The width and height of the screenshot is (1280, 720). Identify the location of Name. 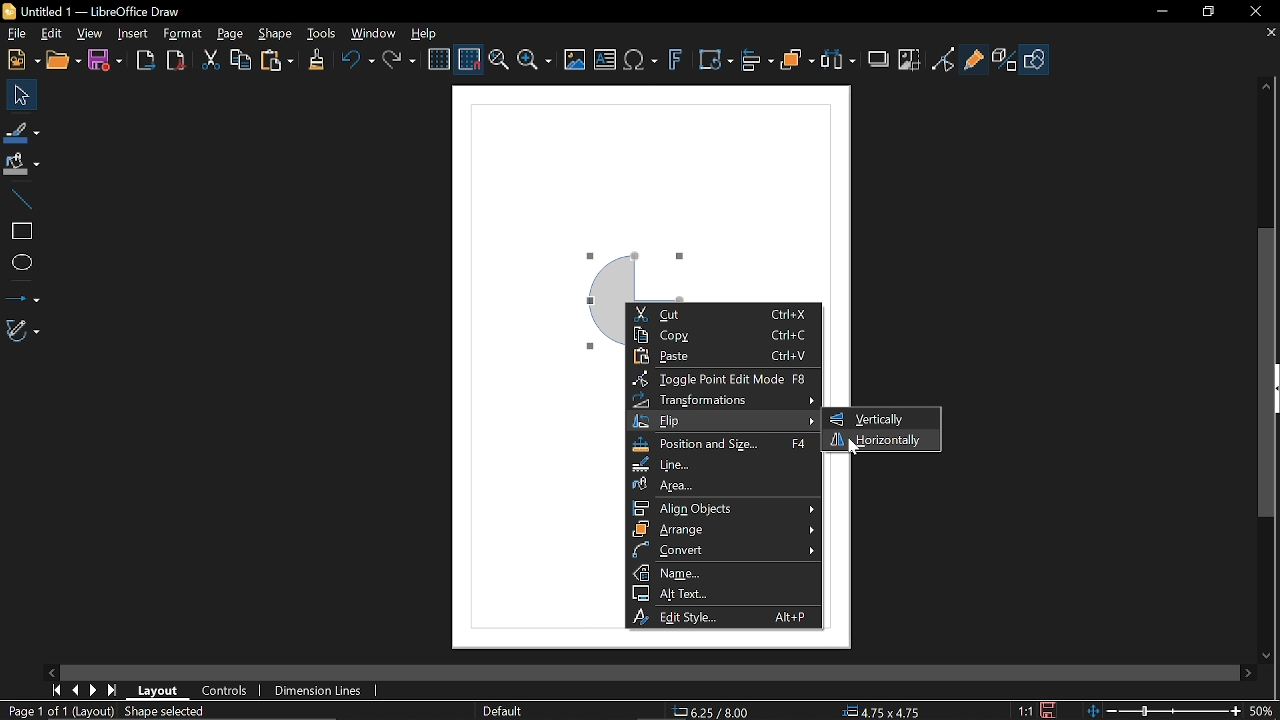
(727, 572).